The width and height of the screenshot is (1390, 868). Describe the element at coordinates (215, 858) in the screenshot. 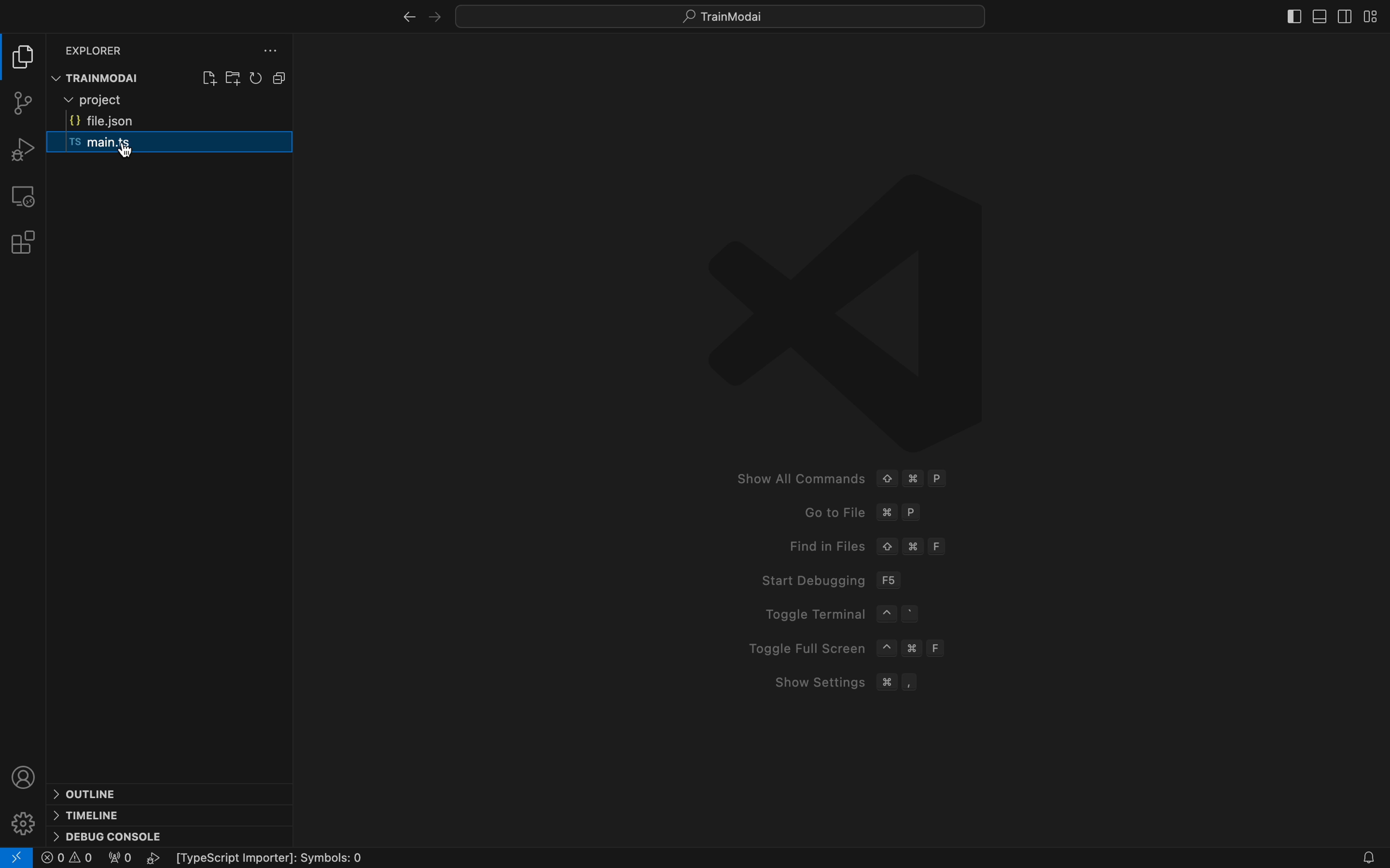

I see `error logs` at that location.